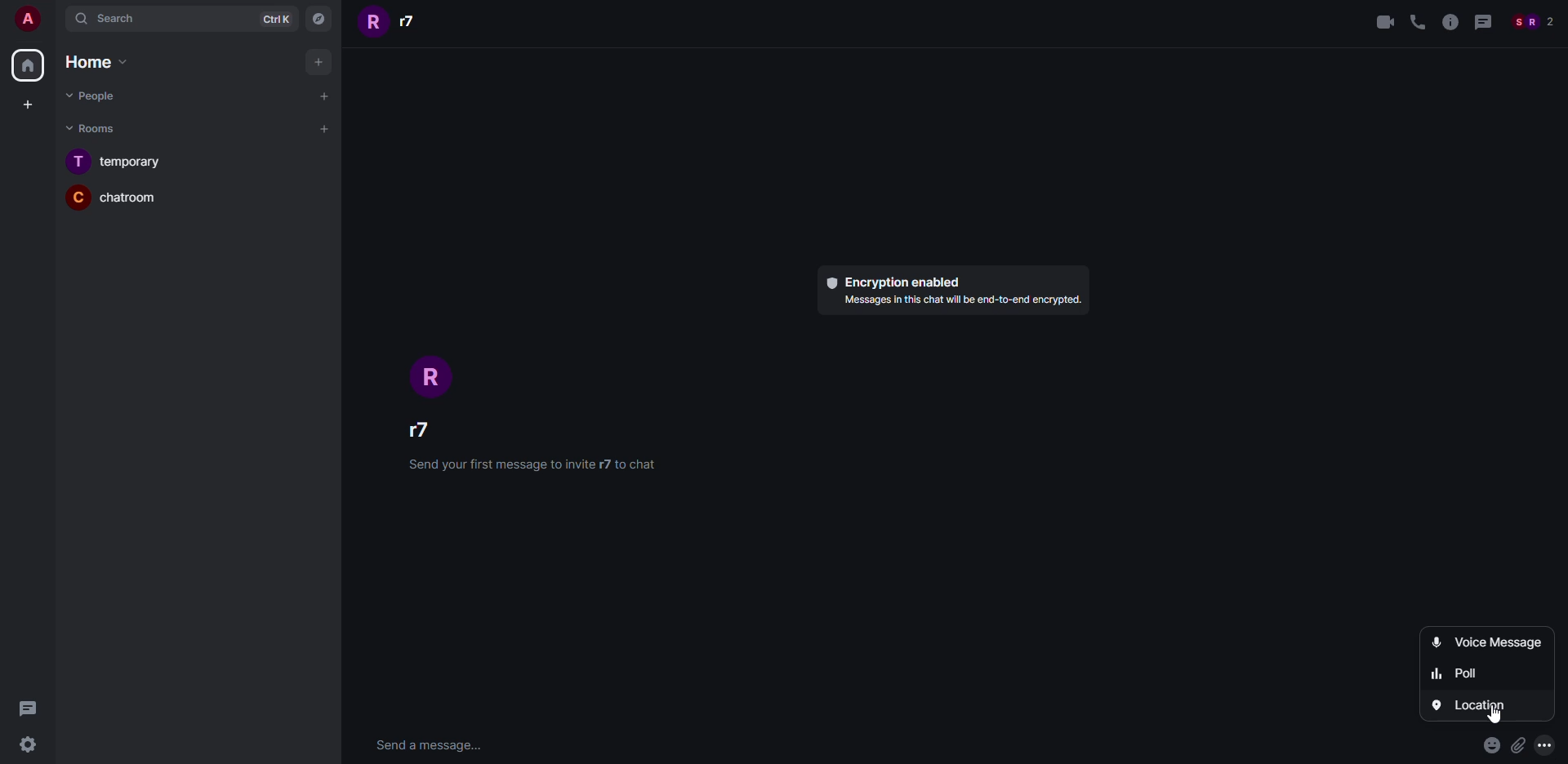  What do you see at coordinates (1449, 23) in the screenshot?
I see `information` at bounding box center [1449, 23].